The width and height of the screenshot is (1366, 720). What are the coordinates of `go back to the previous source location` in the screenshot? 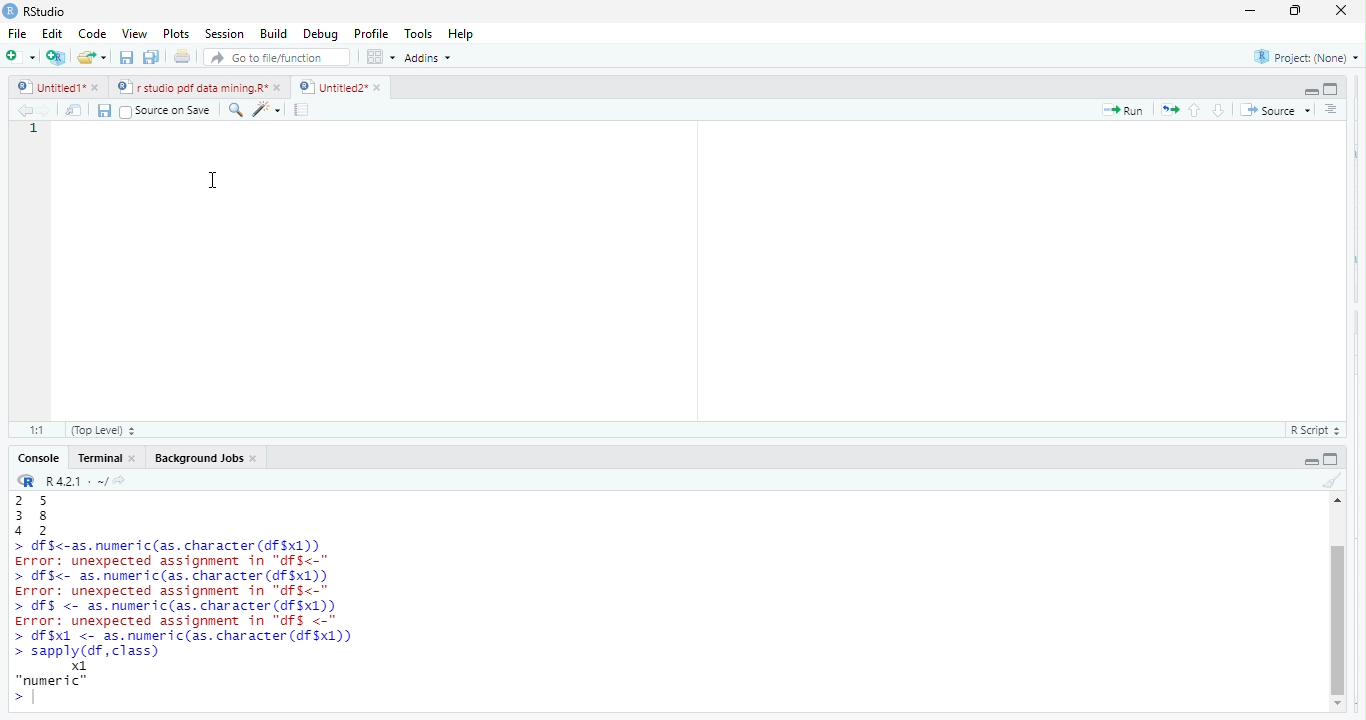 It's located at (24, 110).